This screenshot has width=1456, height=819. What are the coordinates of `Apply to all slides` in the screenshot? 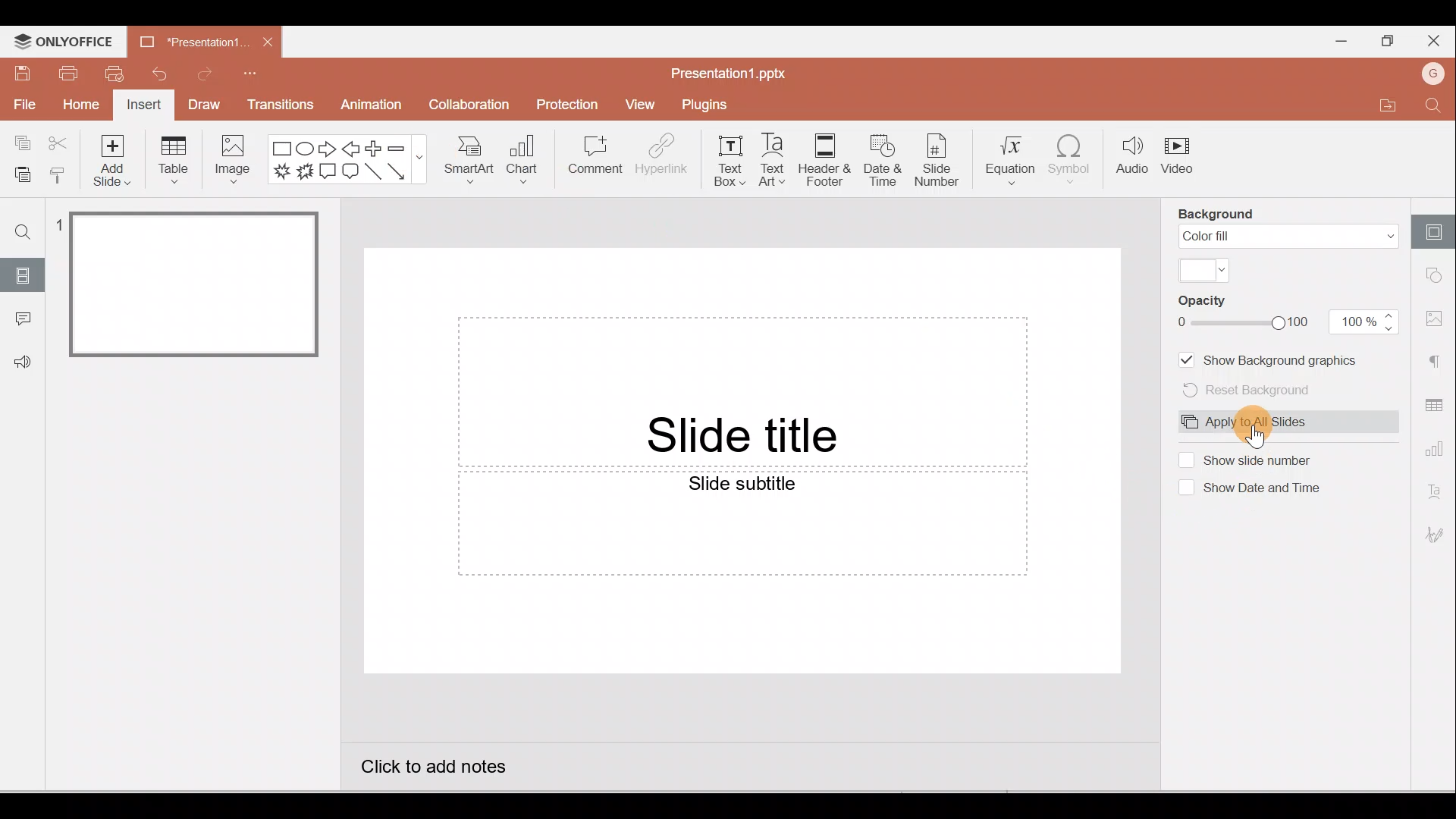 It's located at (1250, 422).